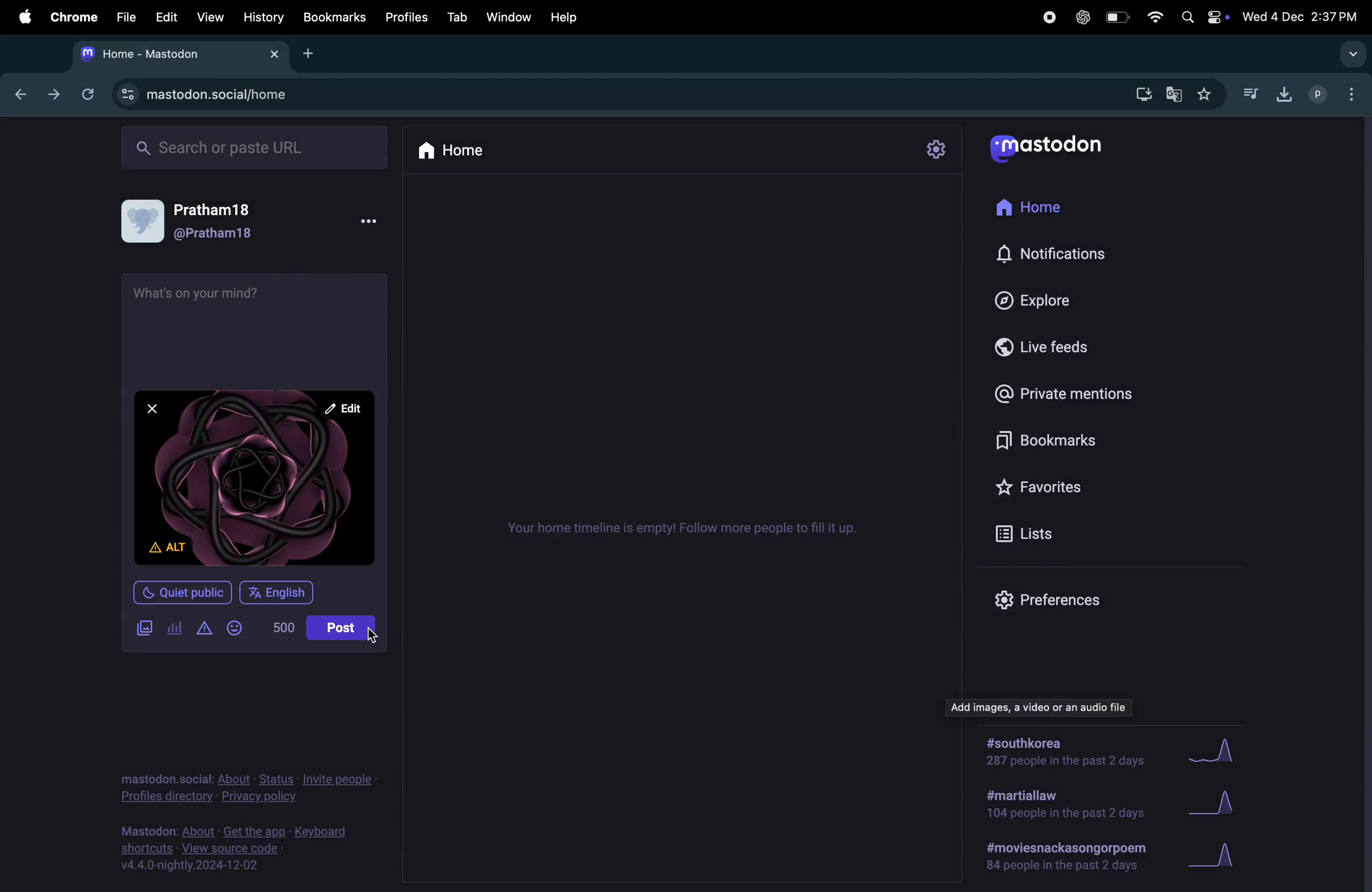 The image size is (1372, 892). Describe the element at coordinates (317, 54) in the screenshot. I see `add tab` at that location.